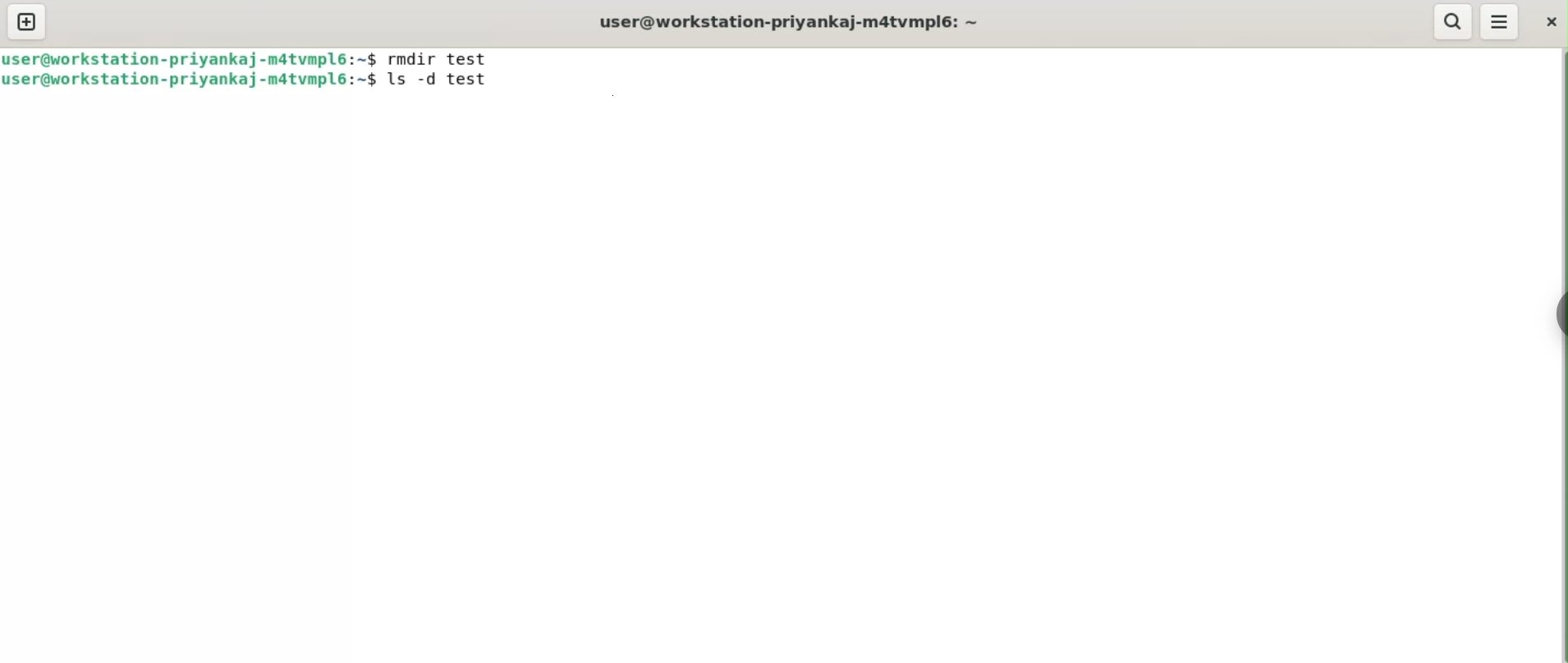  Describe the element at coordinates (1548, 21) in the screenshot. I see `close` at that location.